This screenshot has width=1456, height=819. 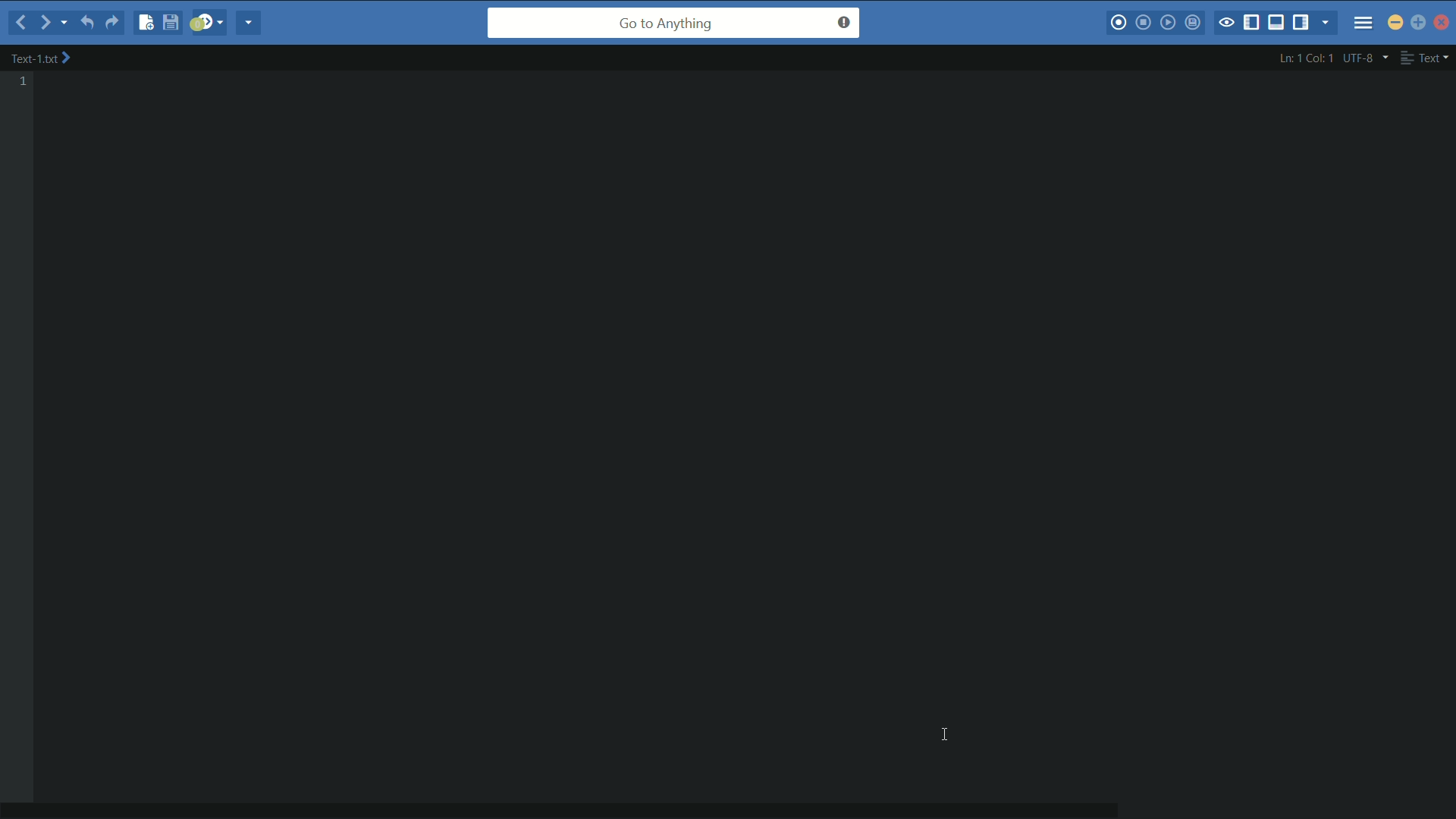 What do you see at coordinates (949, 733) in the screenshot?
I see `text cursor` at bounding box center [949, 733].